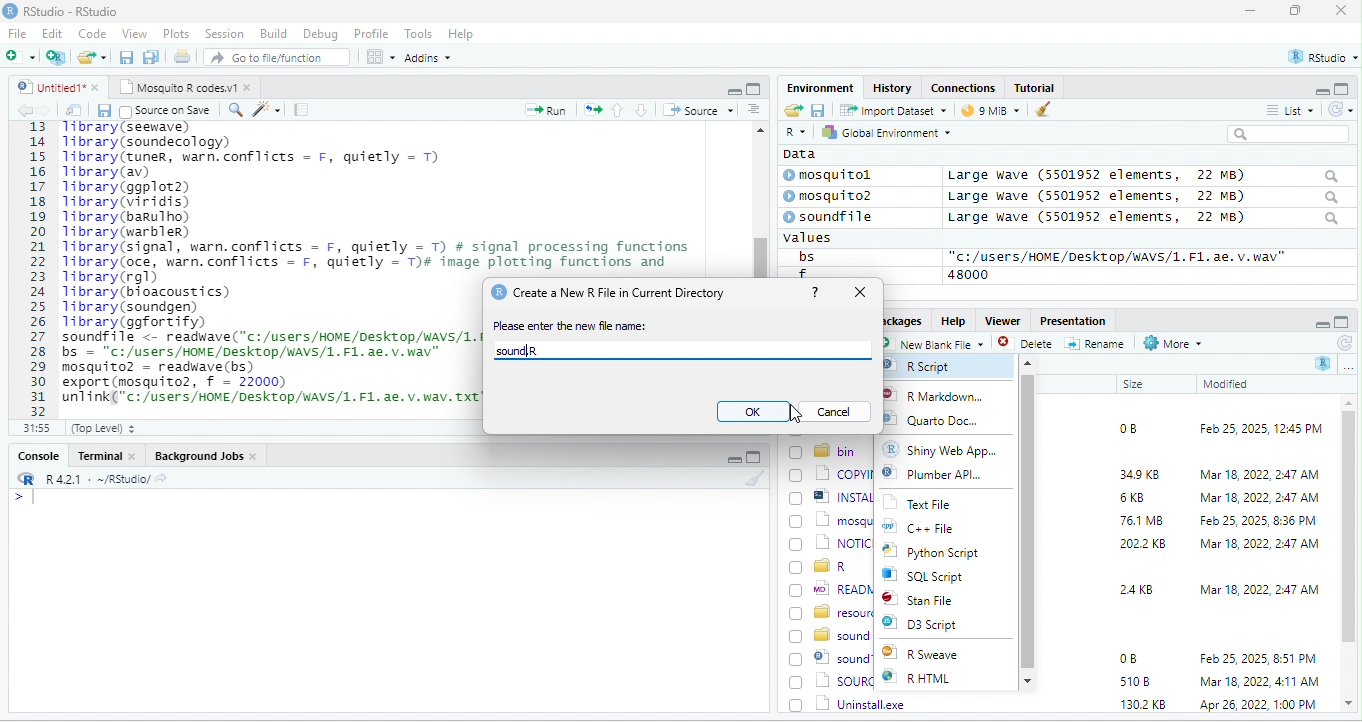 This screenshot has height=722, width=1362. I want to click on © Create a New R File in Current Directory, so click(612, 291).